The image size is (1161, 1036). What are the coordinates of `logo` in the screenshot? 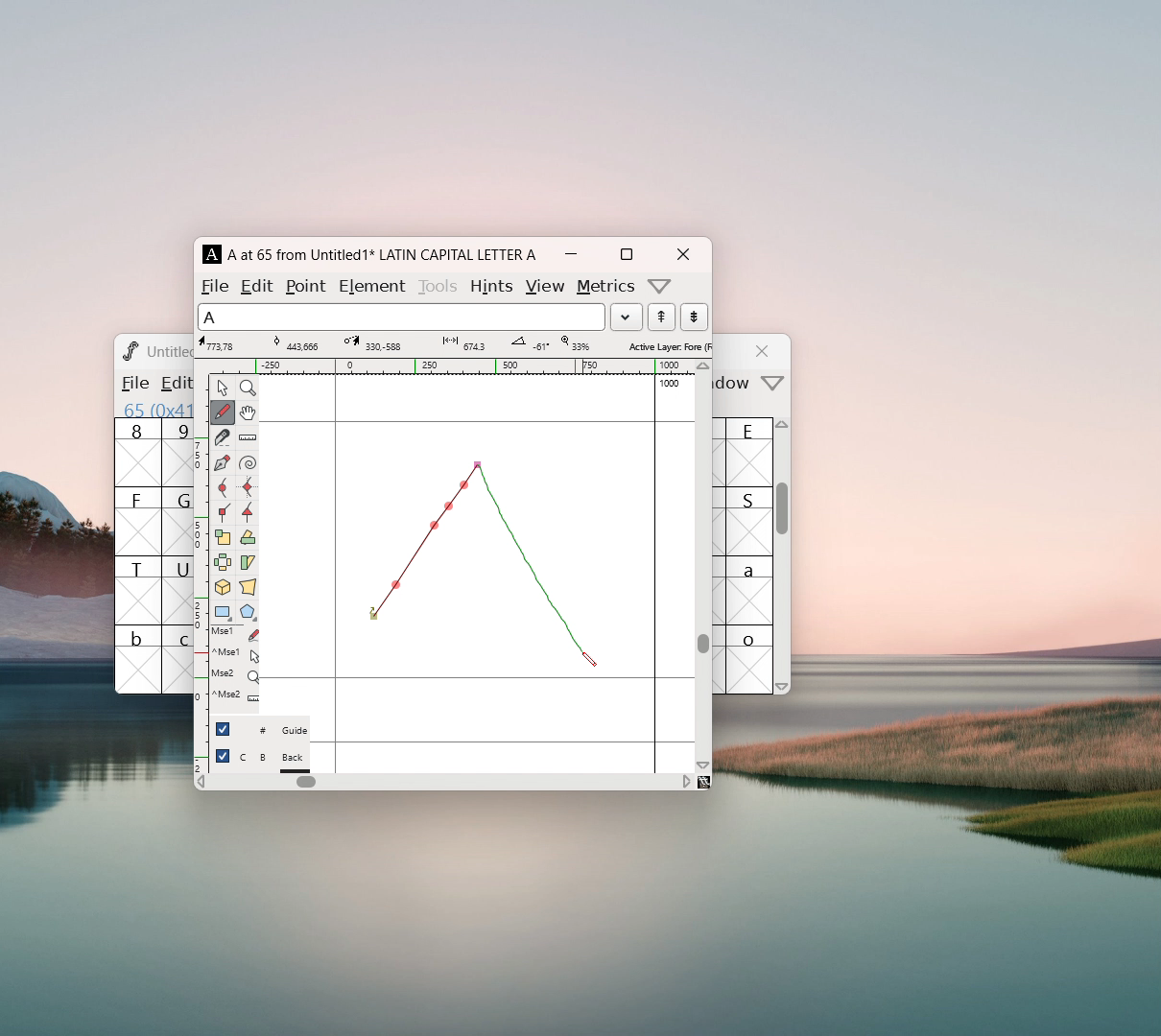 It's located at (129, 350).